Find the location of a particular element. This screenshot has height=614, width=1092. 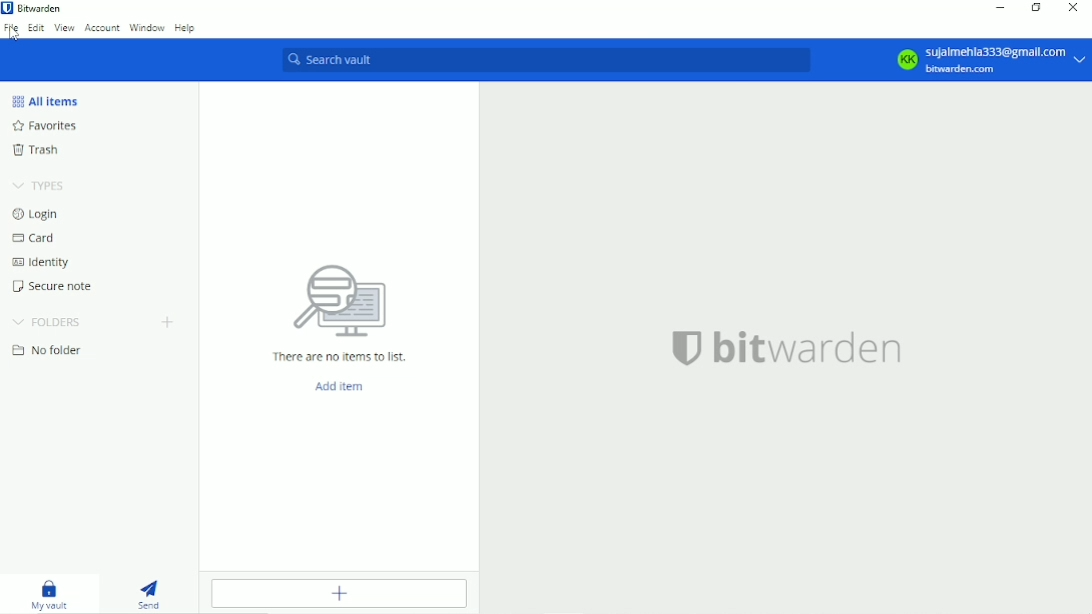

bitwarden is located at coordinates (790, 353).